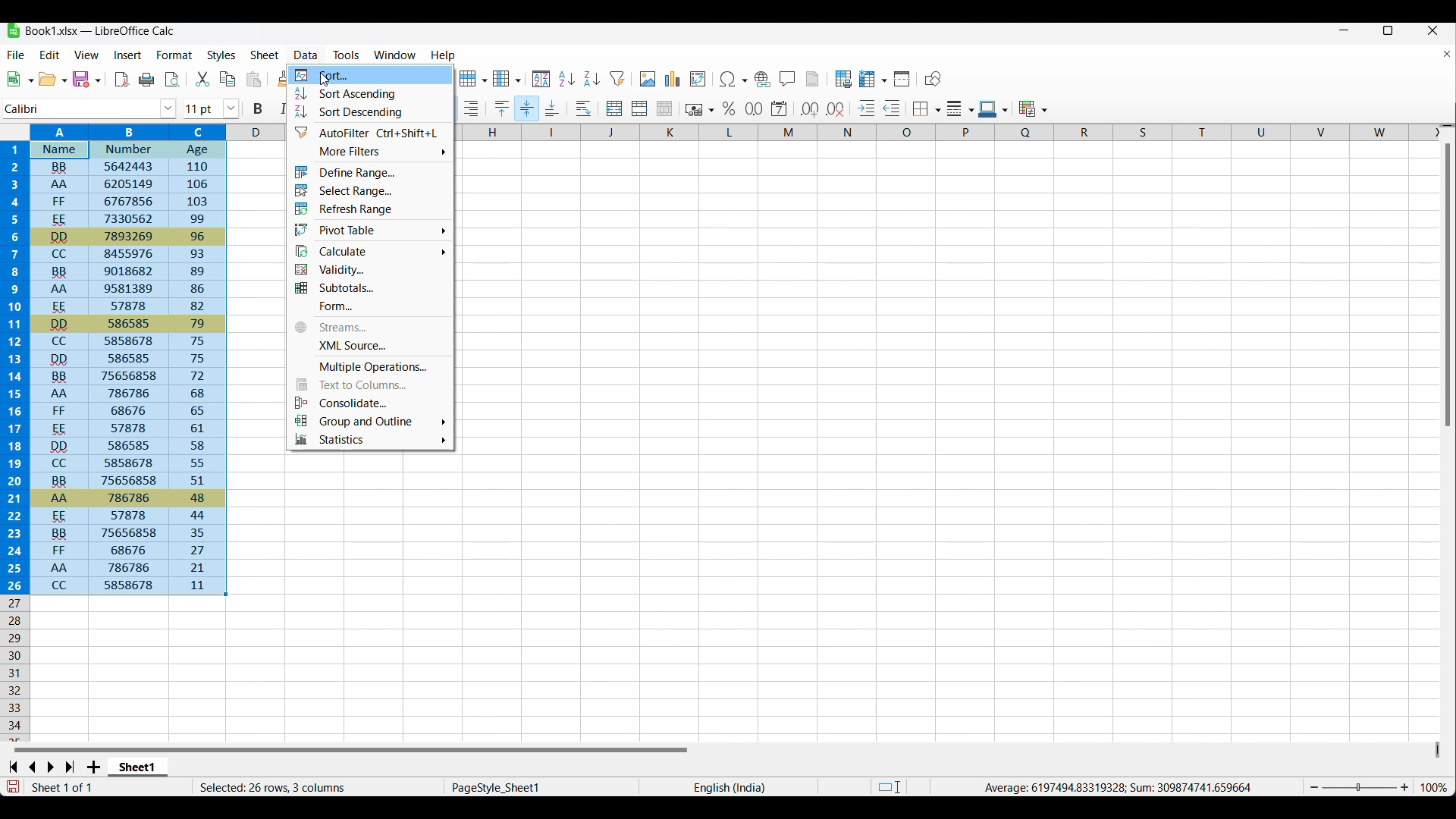 The image size is (1456, 819). I want to click on Subtotals, so click(369, 288).